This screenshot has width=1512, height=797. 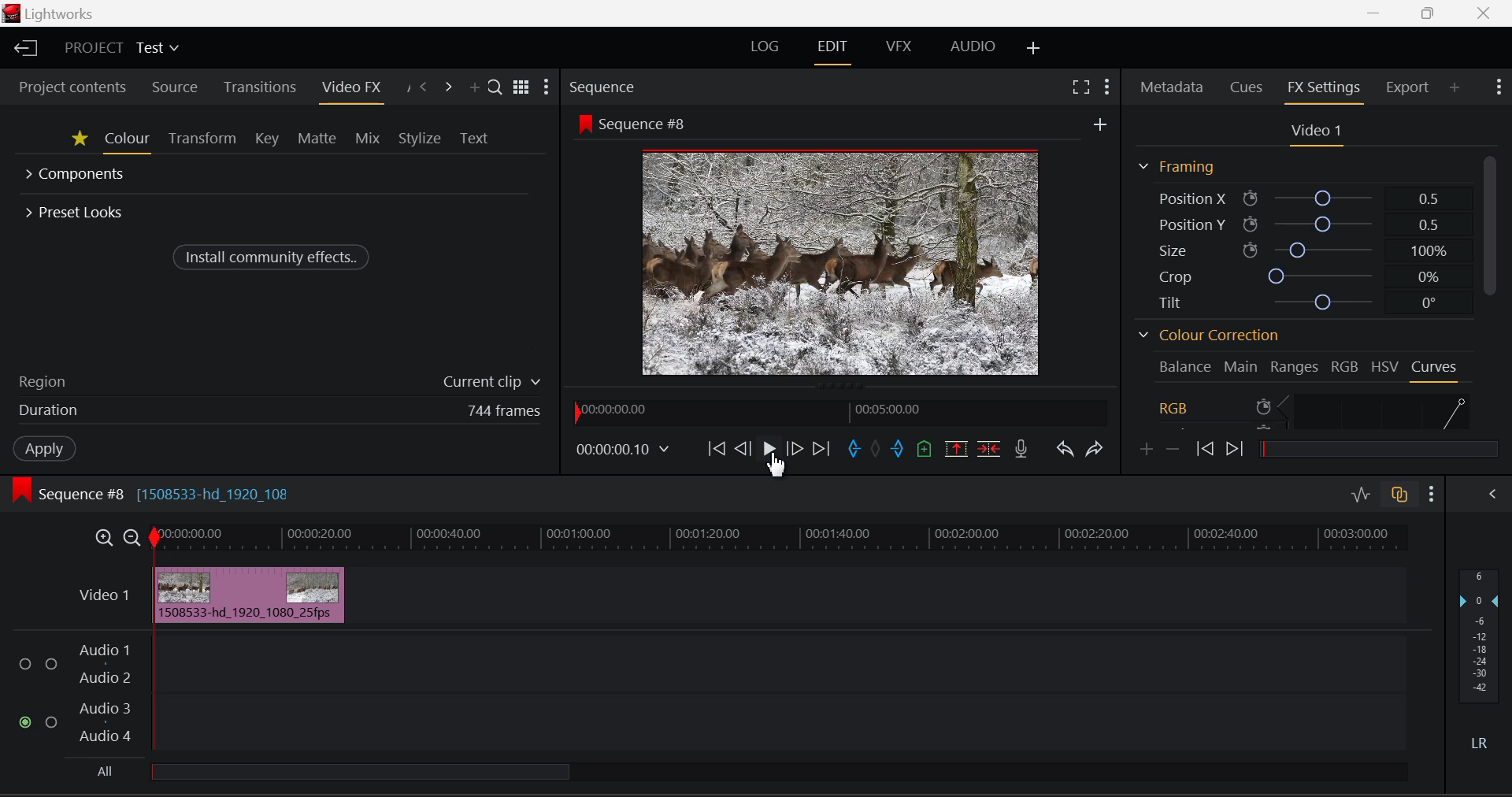 I want to click on Ranges, so click(x=1295, y=366).